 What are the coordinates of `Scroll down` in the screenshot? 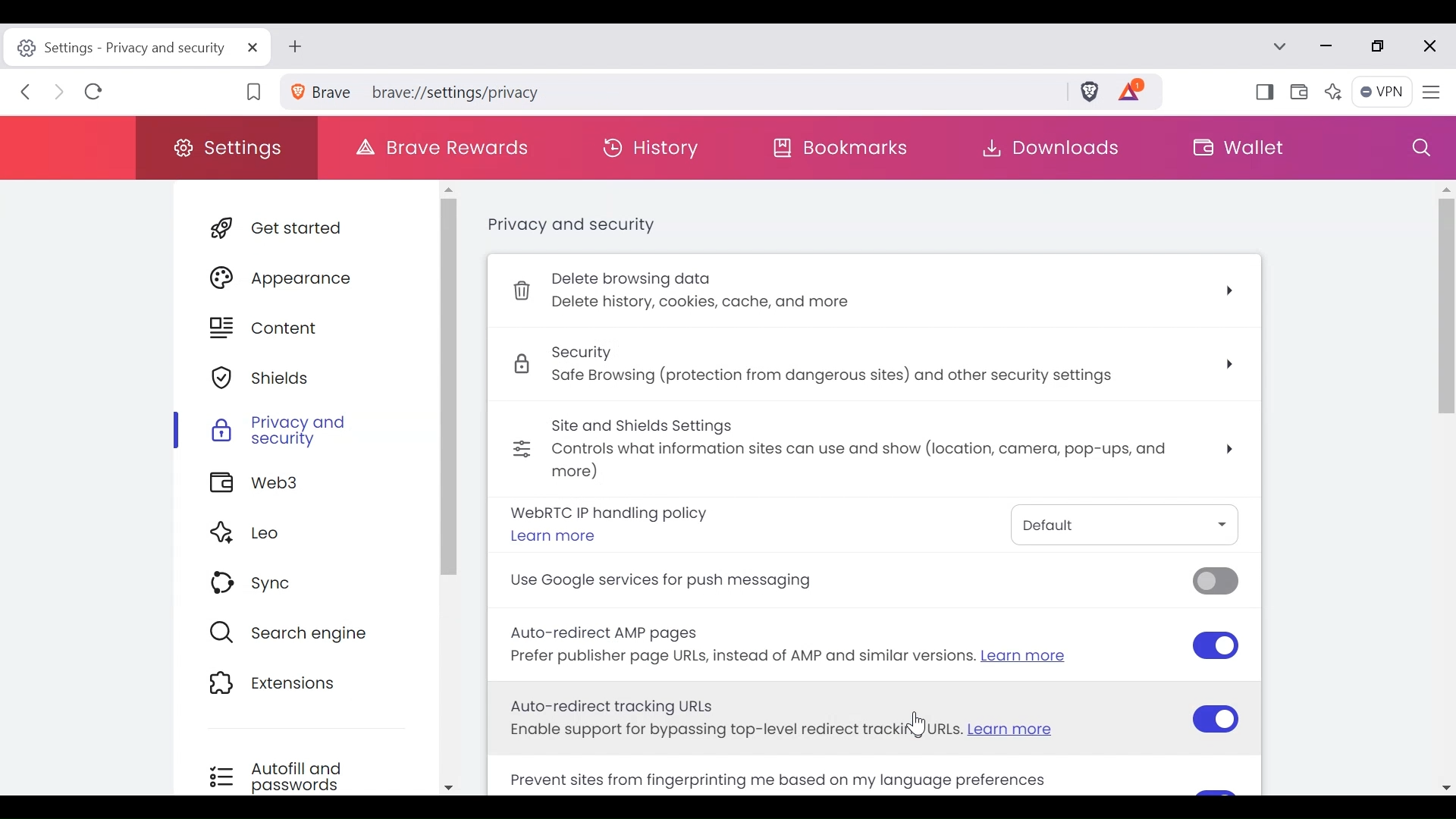 It's located at (1447, 786).